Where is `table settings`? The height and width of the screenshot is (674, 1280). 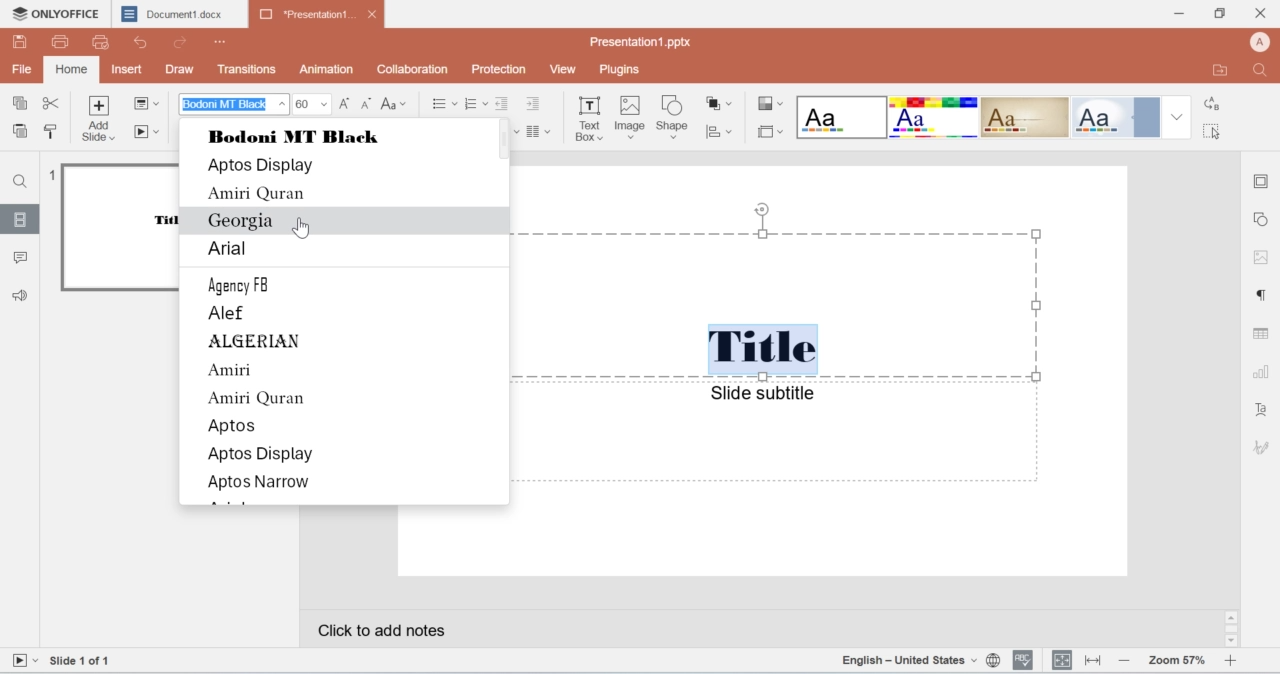 table settings is located at coordinates (1262, 335).